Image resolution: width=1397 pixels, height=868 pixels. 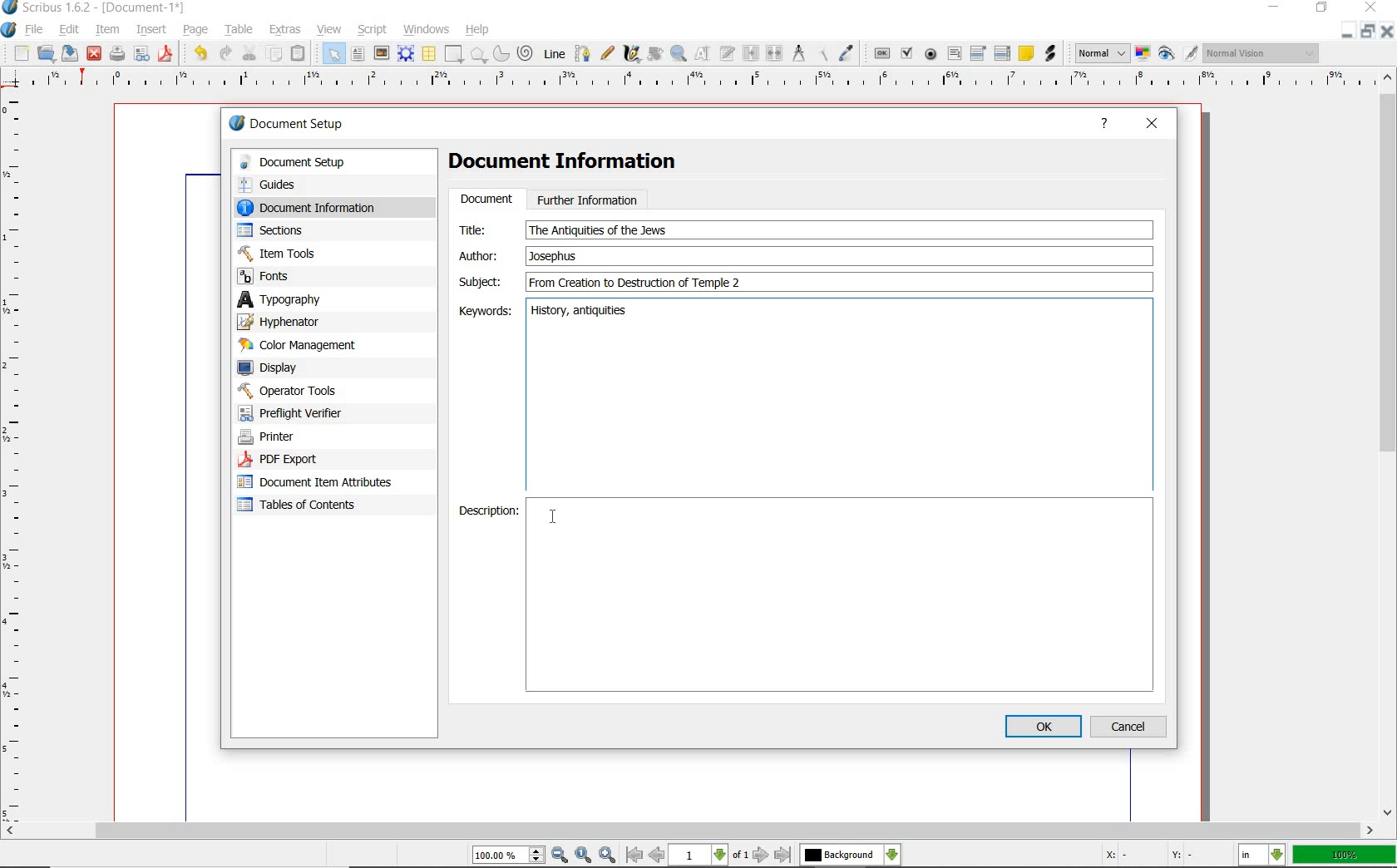 What do you see at coordinates (320, 162) in the screenshot?
I see `document setup` at bounding box center [320, 162].